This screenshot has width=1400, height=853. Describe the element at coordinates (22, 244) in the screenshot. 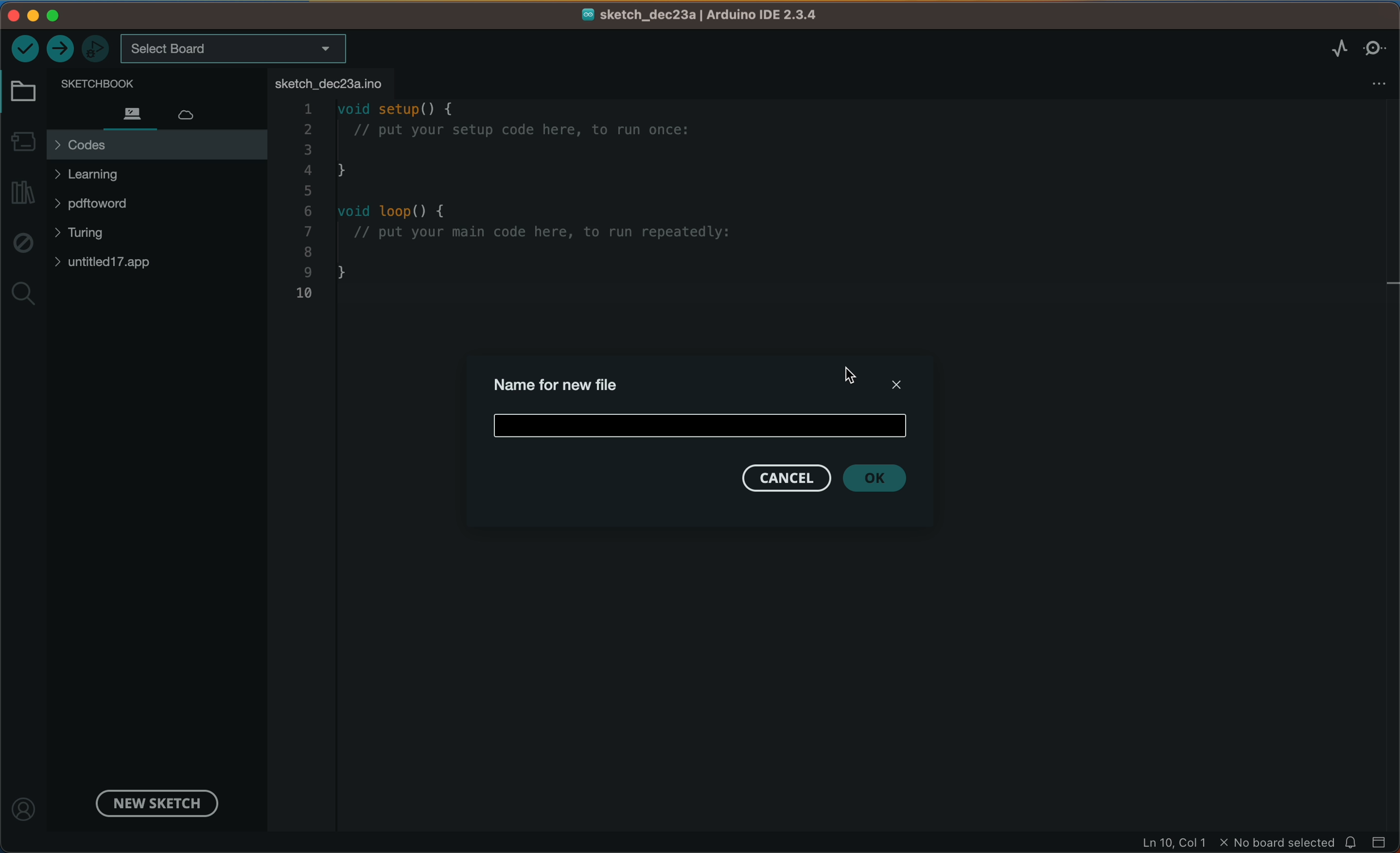

I see `debug` at that location.